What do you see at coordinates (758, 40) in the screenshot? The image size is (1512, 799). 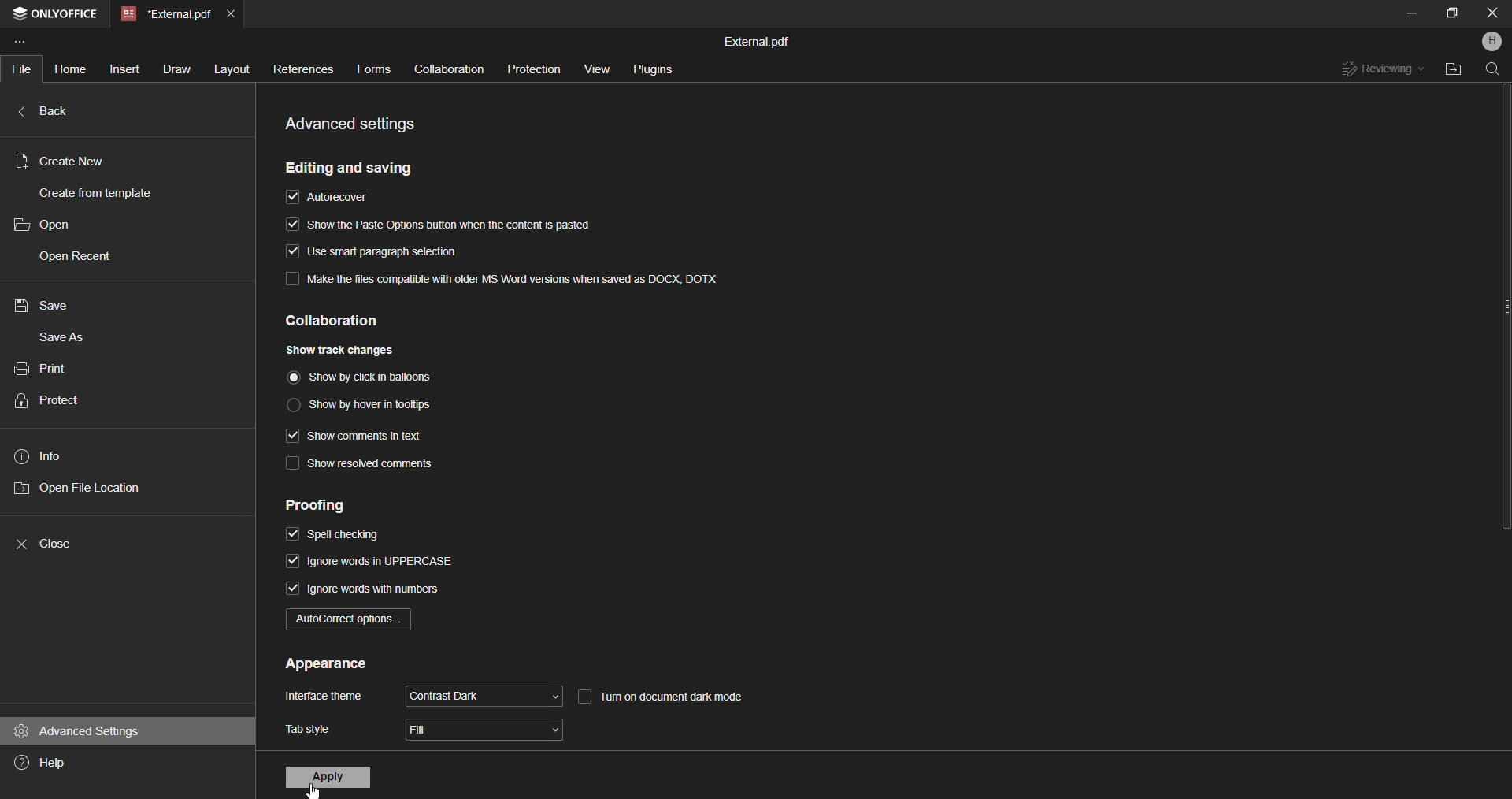 I see `External.pdf(File name)` at bounding box center [758, 40].